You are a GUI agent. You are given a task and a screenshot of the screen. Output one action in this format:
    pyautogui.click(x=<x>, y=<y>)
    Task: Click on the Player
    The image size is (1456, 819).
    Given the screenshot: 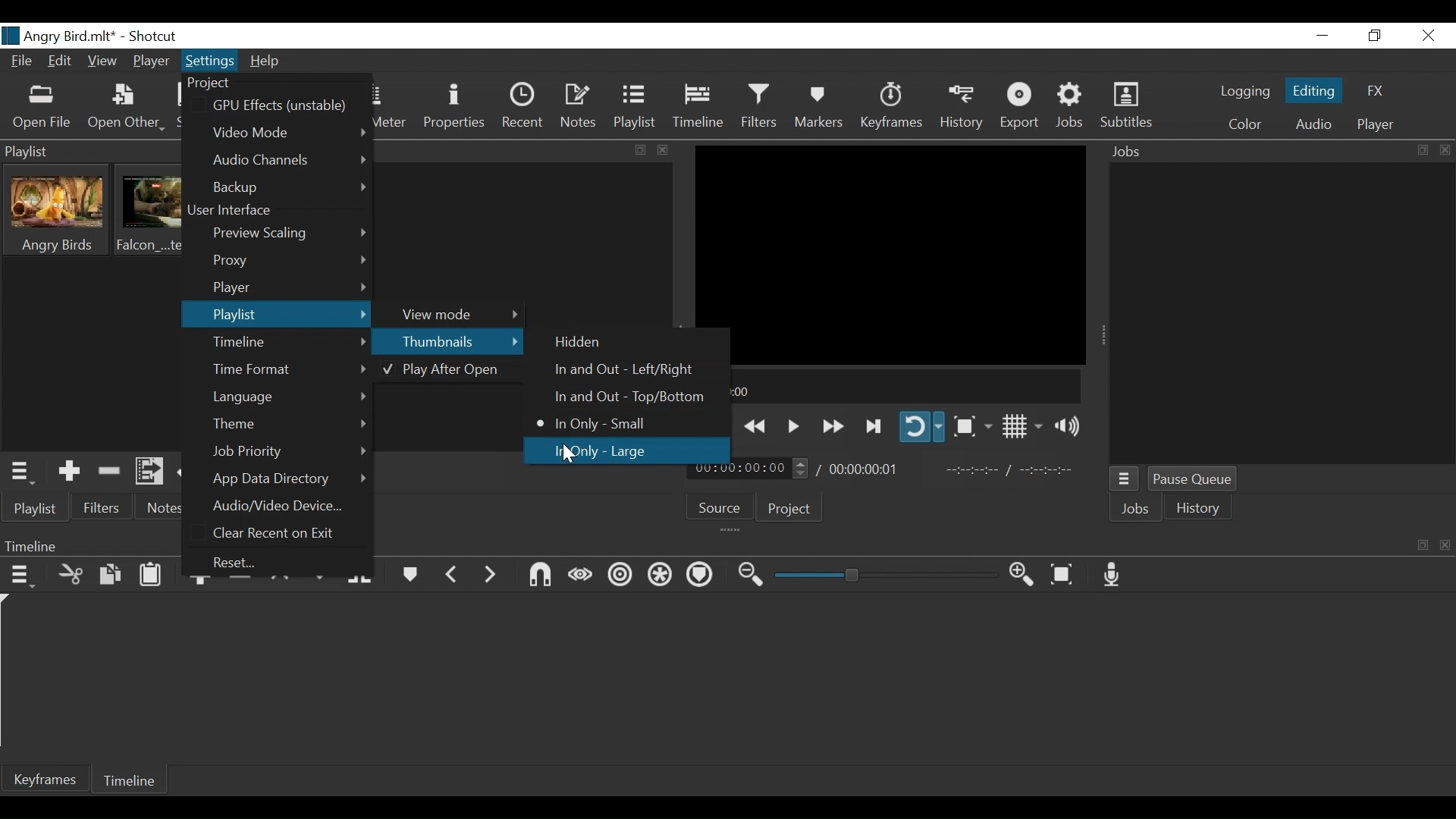 What is the action you would take?
    pyautogui.click(x=1376, y=125)
    